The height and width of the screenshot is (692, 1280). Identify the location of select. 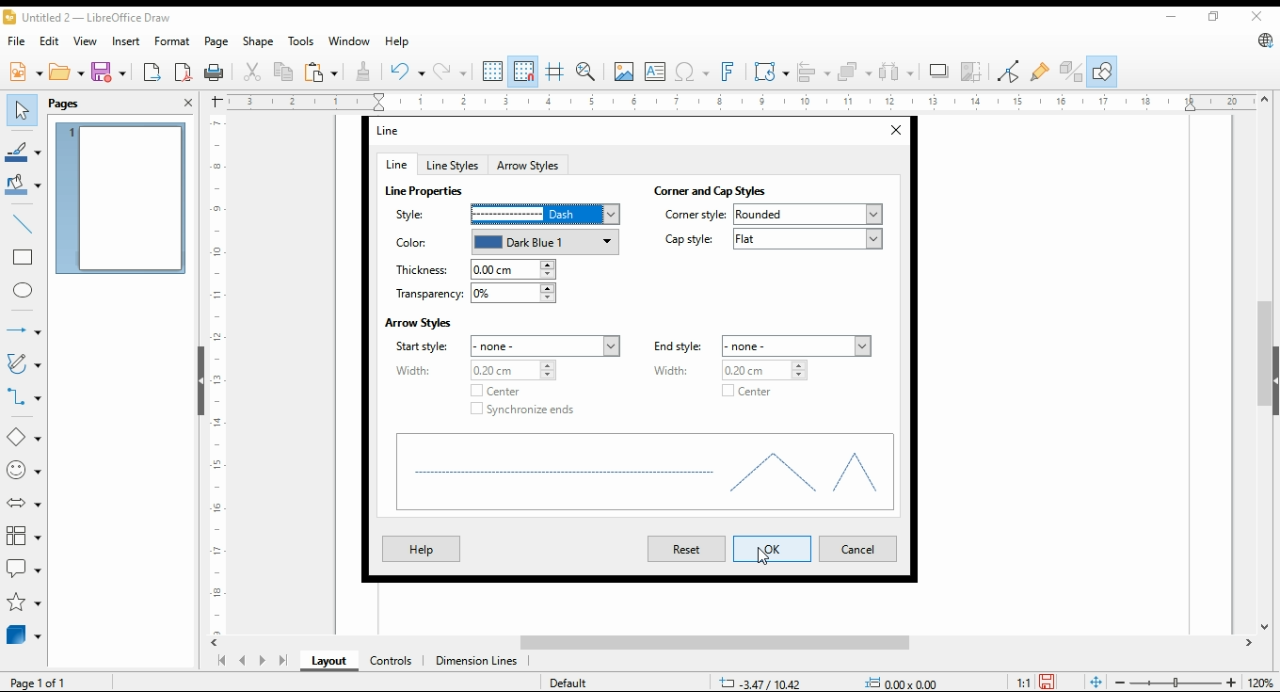
(22, 110).